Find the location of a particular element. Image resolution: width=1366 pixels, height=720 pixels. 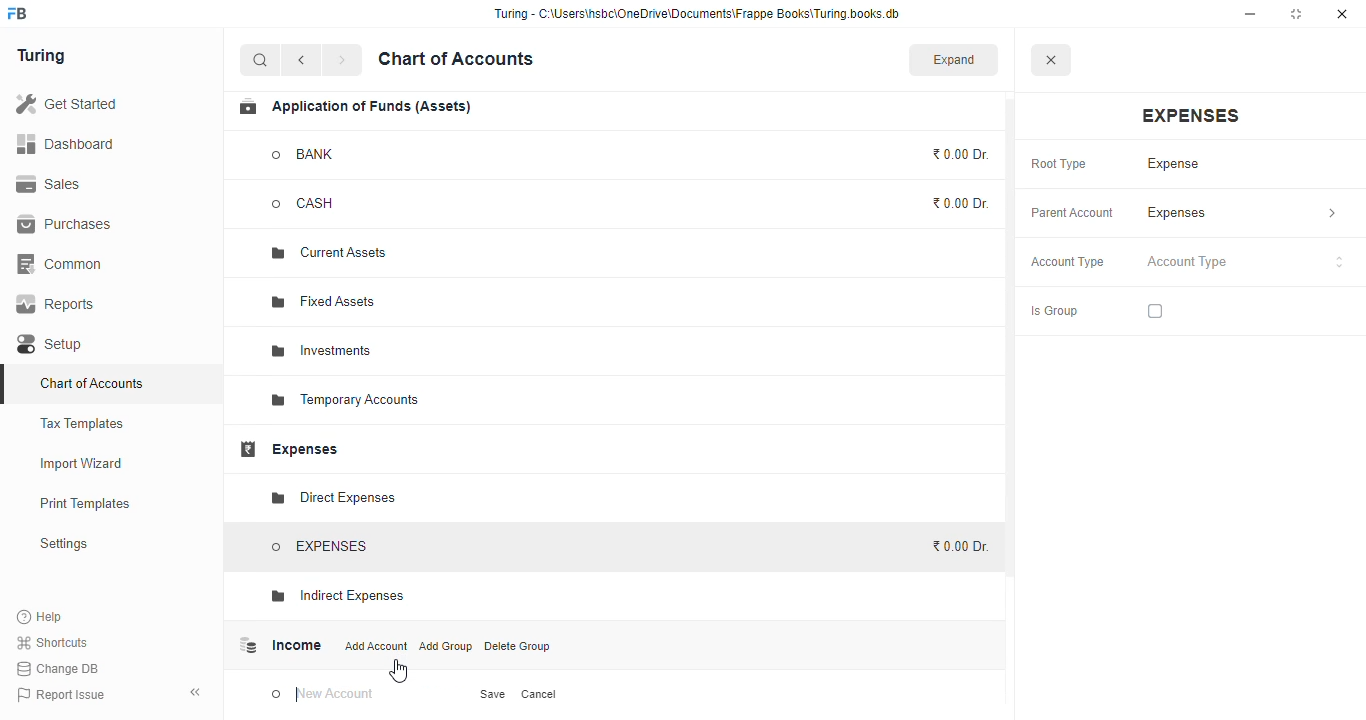

add group is located at coordinates (447, 646).